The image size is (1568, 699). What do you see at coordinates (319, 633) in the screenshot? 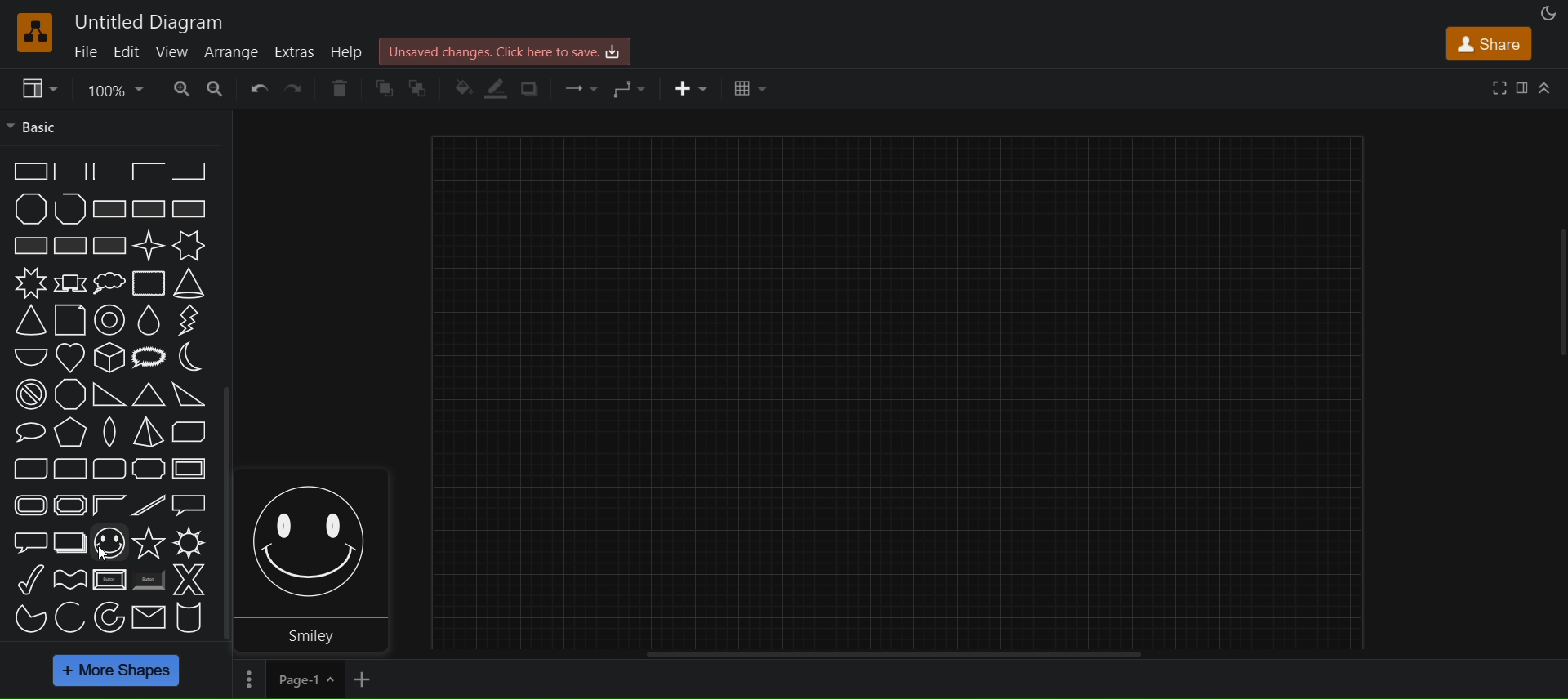
I see `smiley (text info)` at bounding box center [319, 633].